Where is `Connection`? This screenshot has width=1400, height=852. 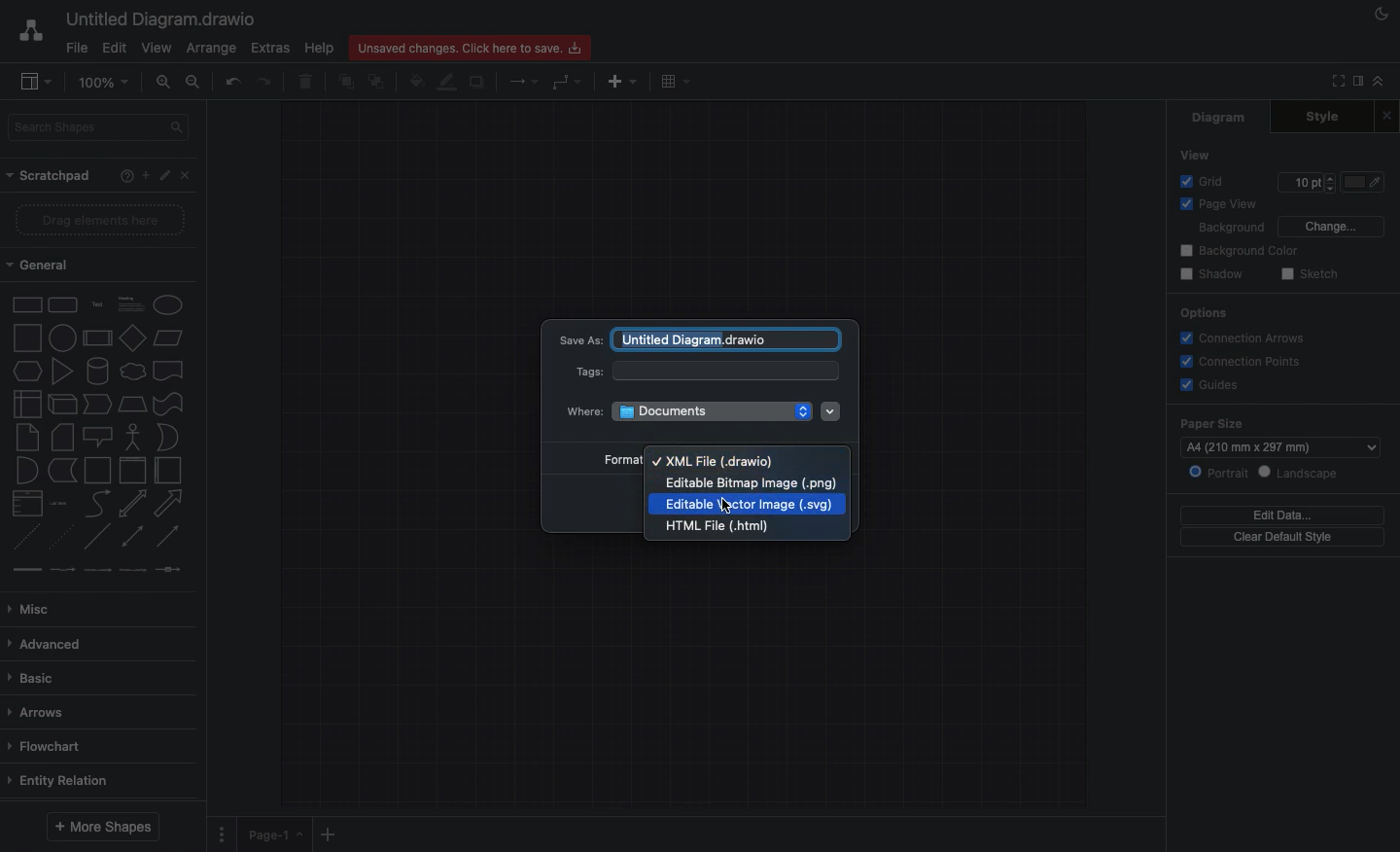
Connection is located at coordinates (524, 81).